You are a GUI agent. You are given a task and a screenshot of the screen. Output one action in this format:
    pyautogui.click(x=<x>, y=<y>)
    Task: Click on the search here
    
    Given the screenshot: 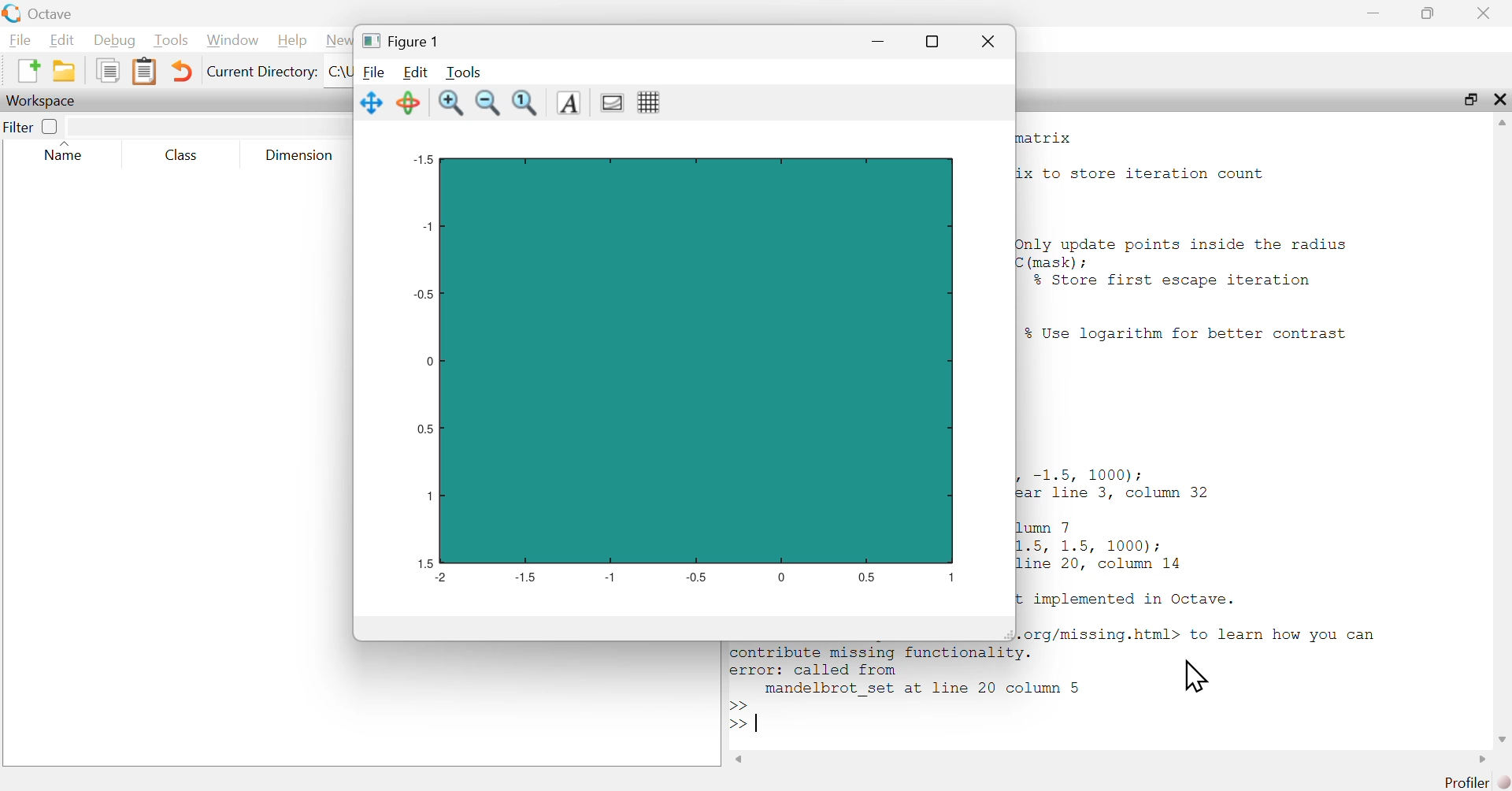 What is the action you would take?
    pyautogui.click(x=208, y=124)
    